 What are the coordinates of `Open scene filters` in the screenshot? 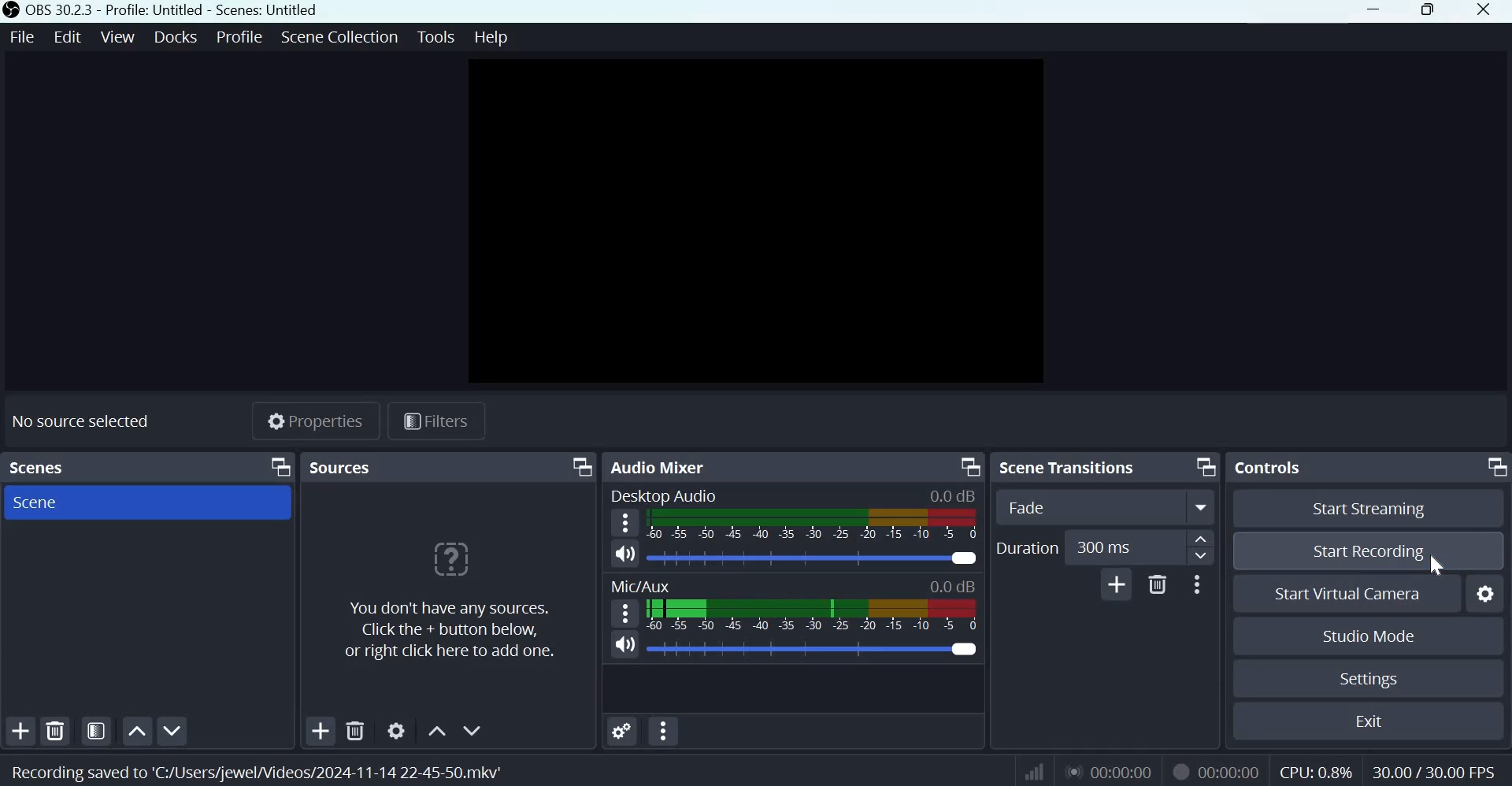 It's located at (97, 730).